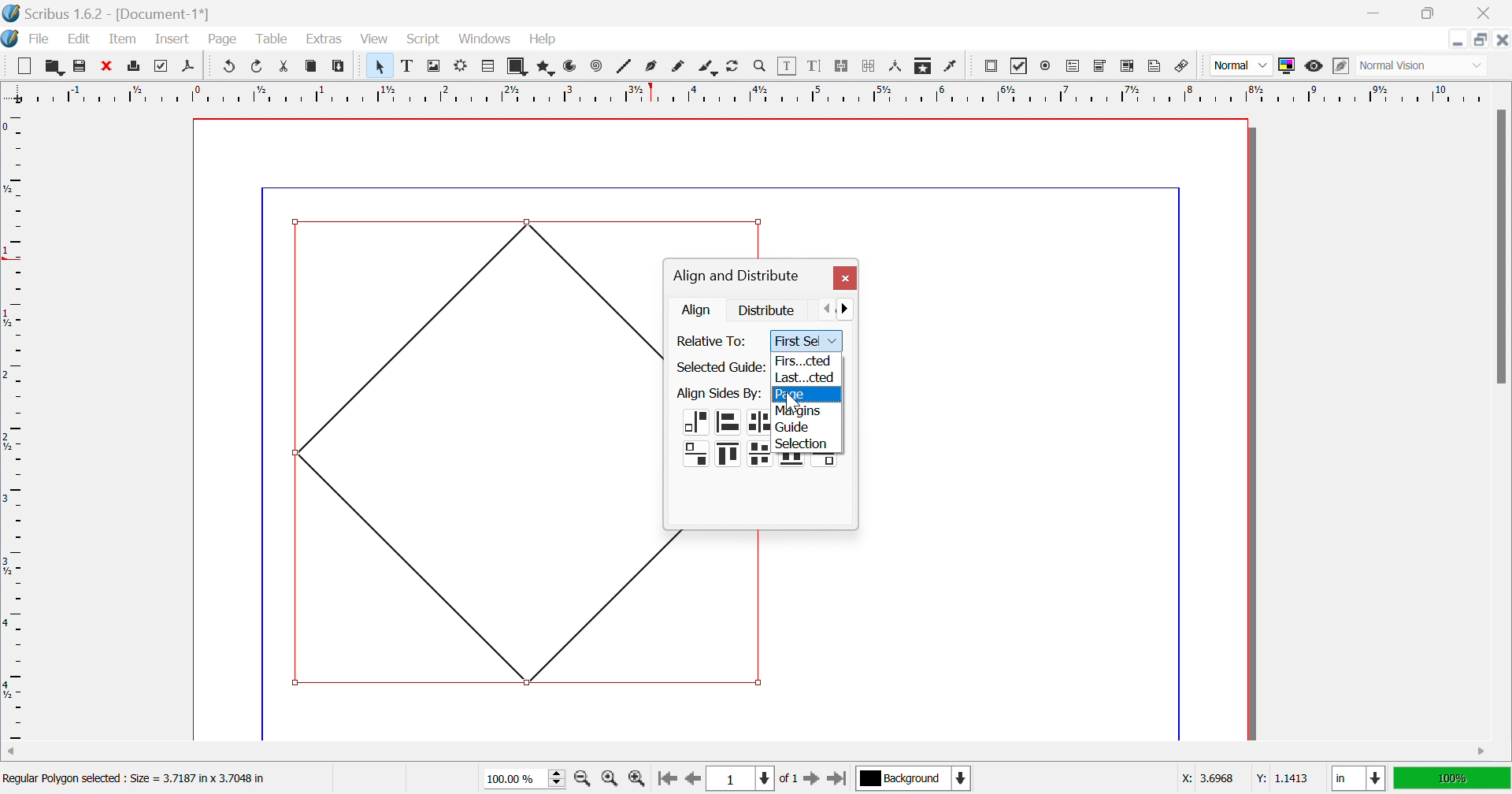  I want to click on Link text frames, so click(840, 66).